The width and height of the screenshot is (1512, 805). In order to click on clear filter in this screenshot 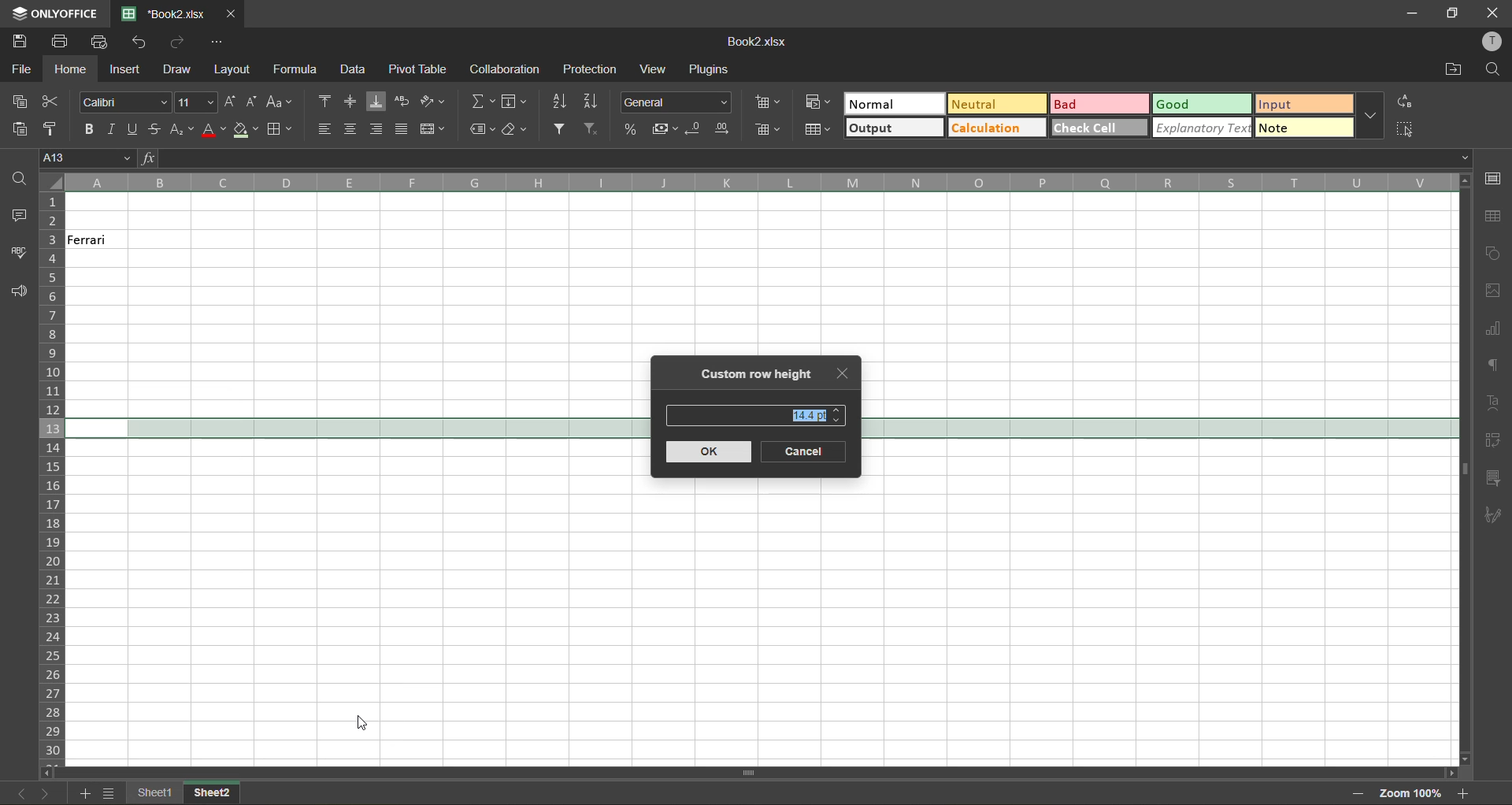, I will do `click(593, 131)`.